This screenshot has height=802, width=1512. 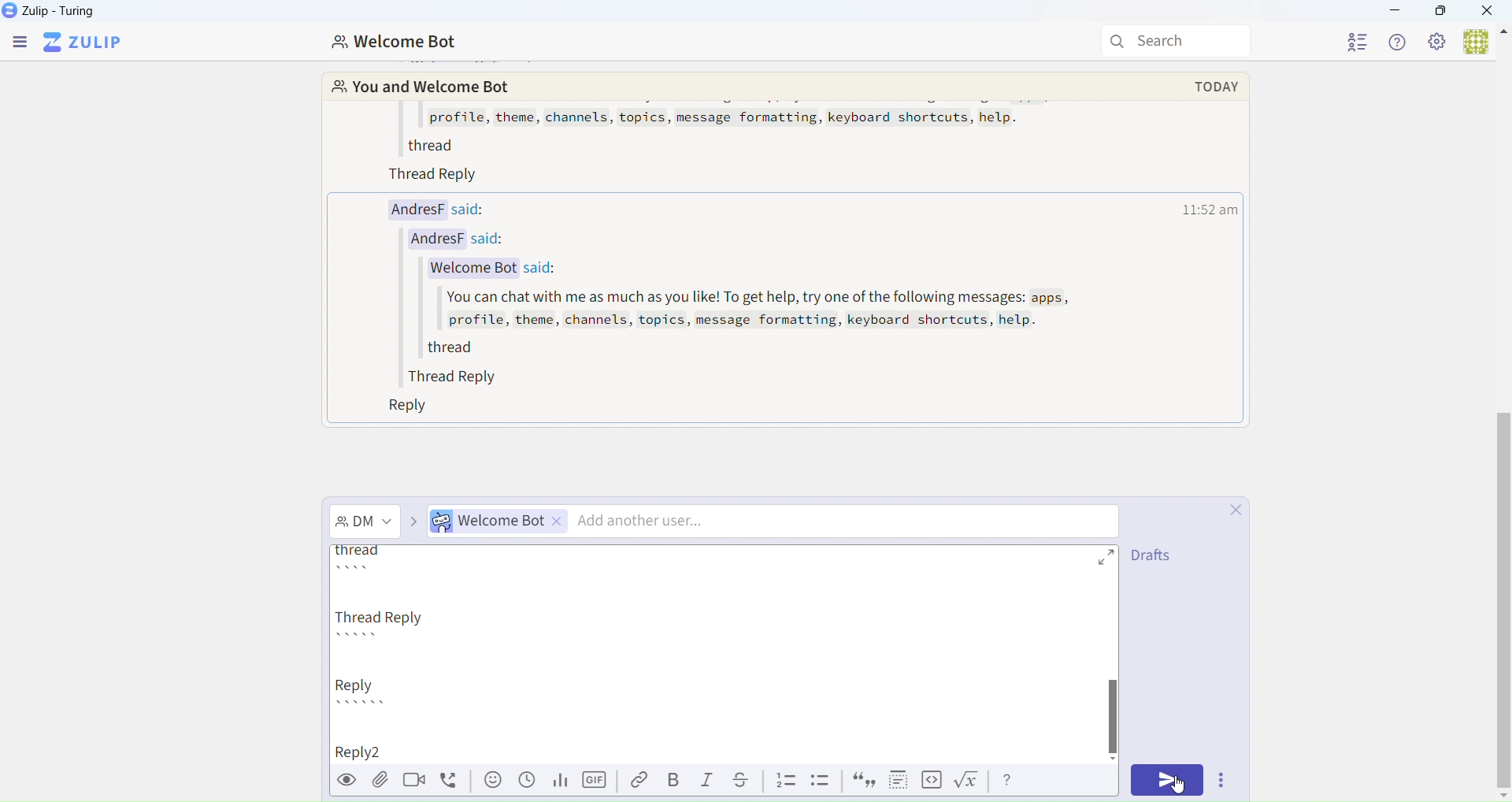 I want to click on Thread Reply, so click(x=445, y=377).